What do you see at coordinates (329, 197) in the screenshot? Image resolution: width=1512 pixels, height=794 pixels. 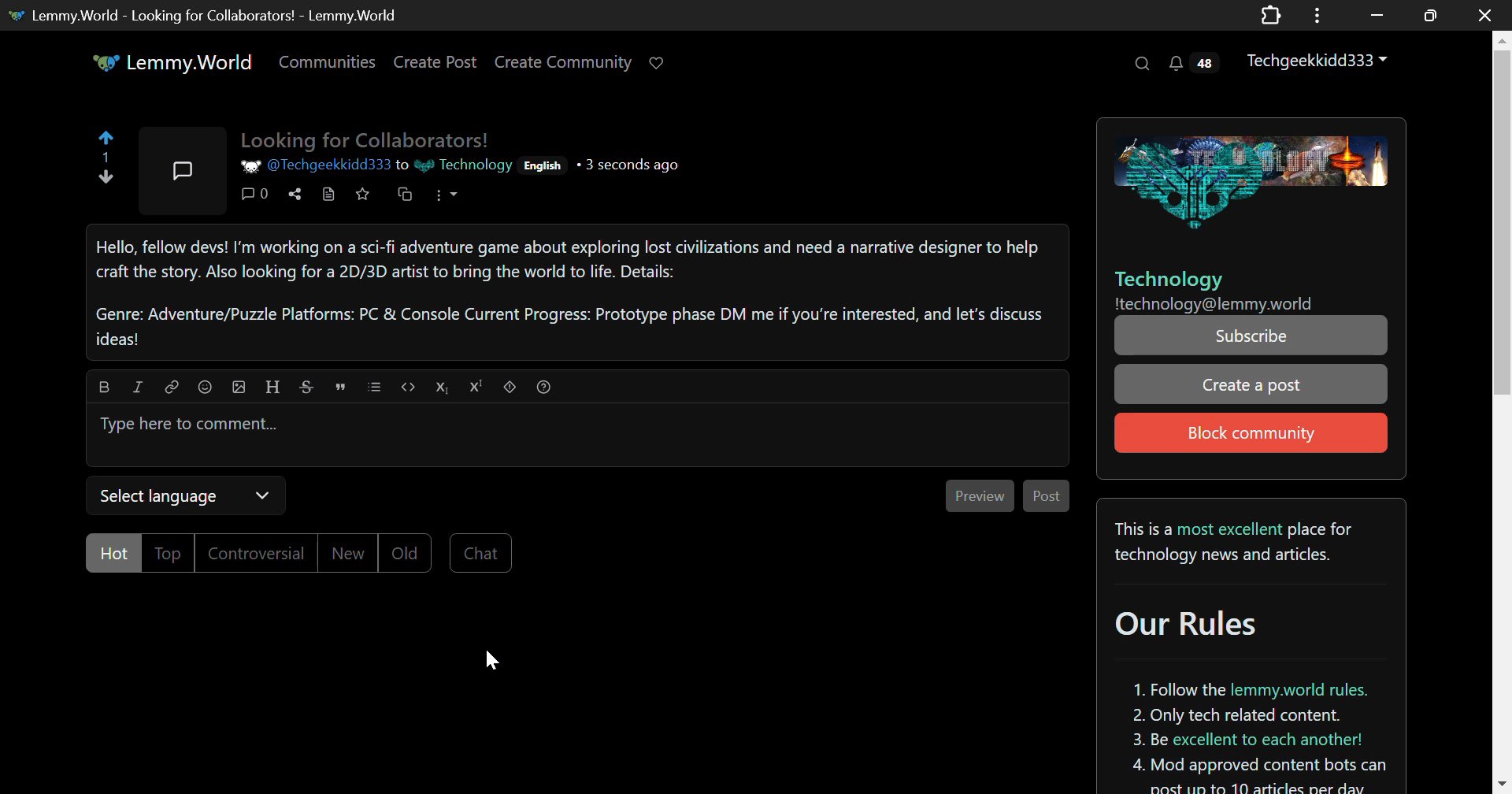 I see `View Source` at bounding box center [329, 197].